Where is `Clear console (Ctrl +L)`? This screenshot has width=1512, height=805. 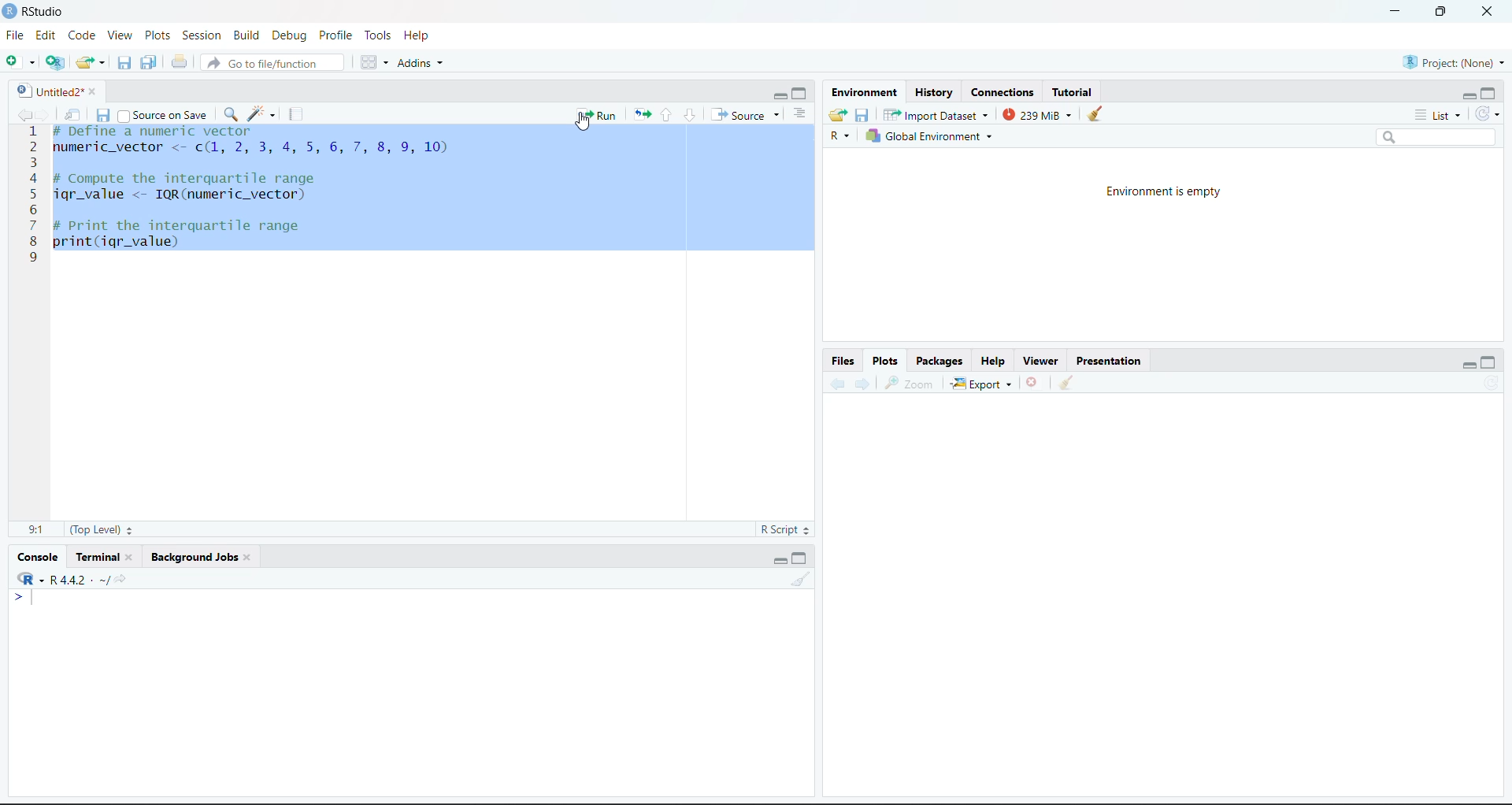
Clear console (Ctrl +L) is located at coordinates (1099, 114).